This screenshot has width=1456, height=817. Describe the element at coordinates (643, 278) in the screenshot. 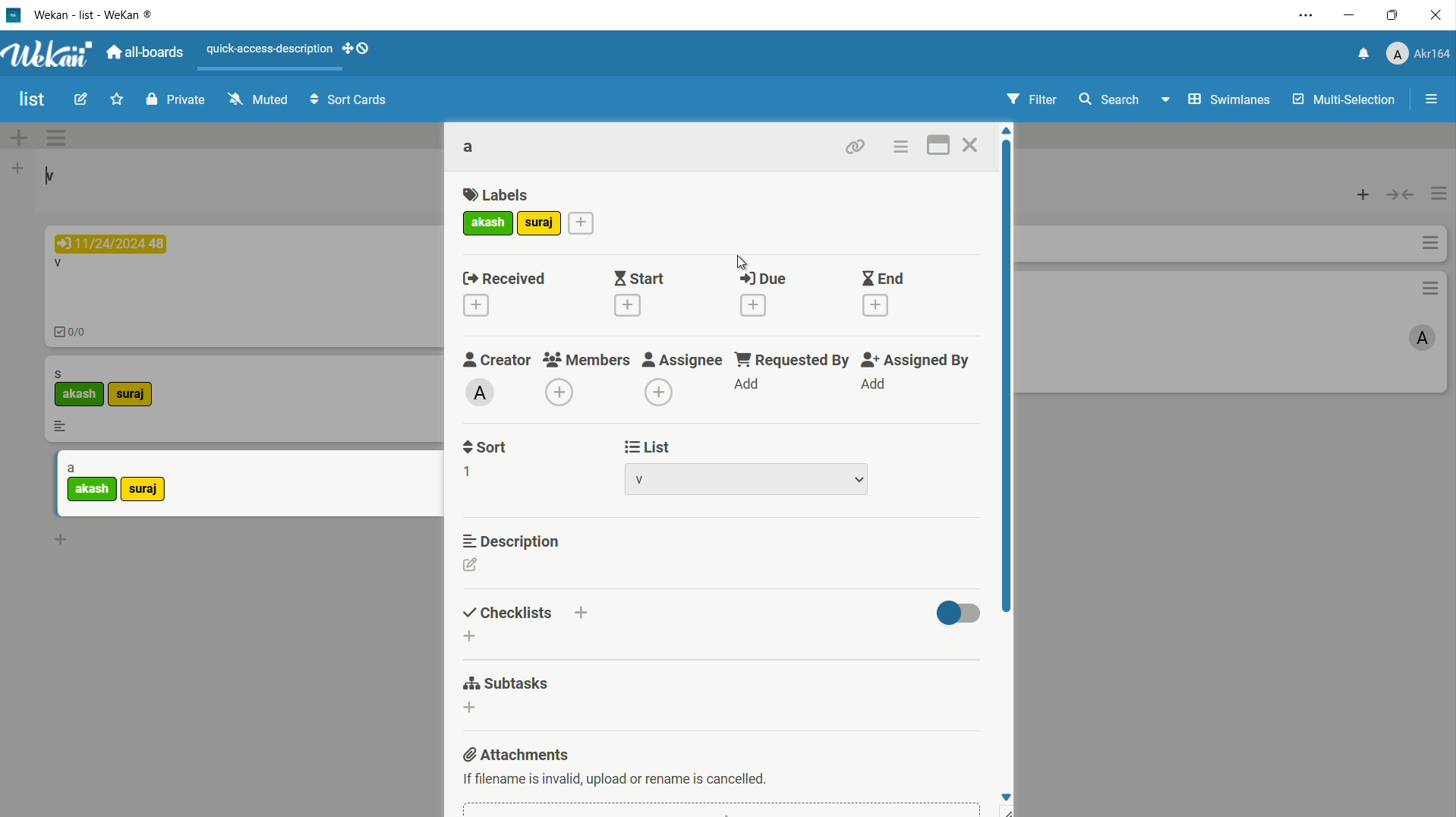

I see `start` at that location.